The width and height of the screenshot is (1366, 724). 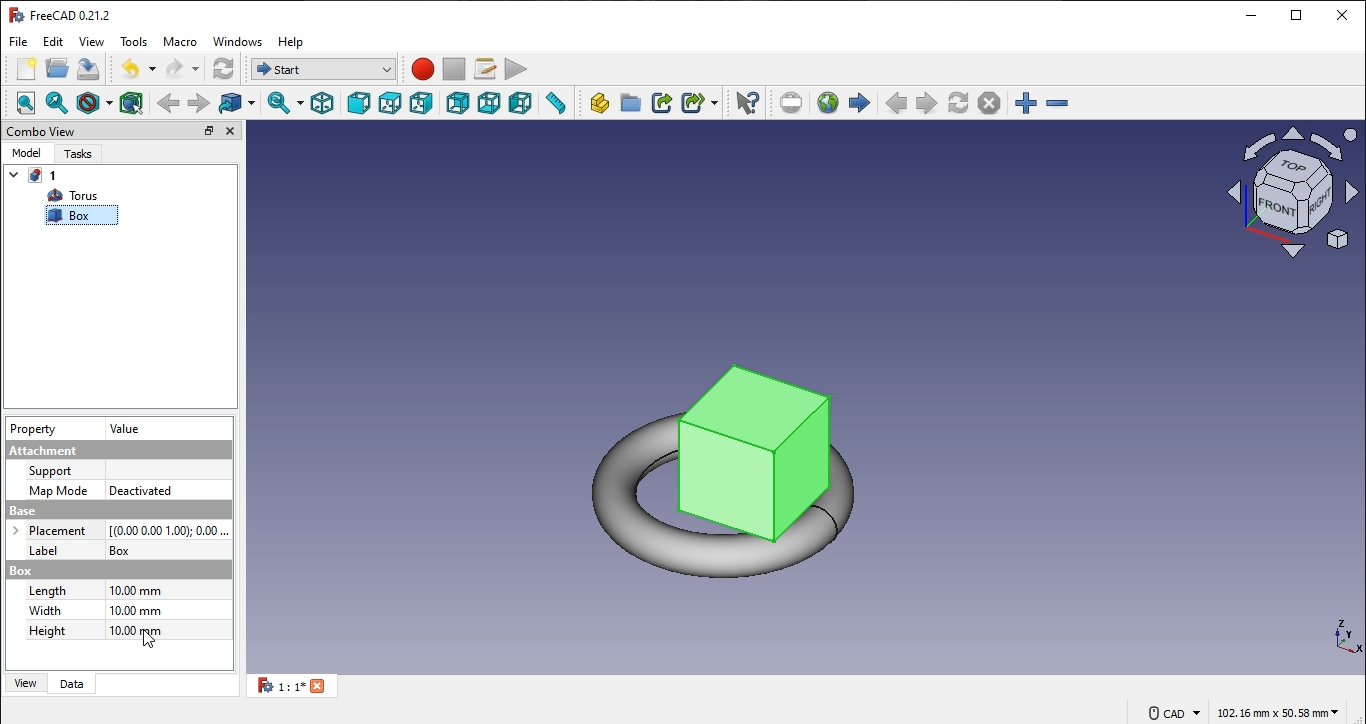 What do you see at coordinates (827, 101) in the screenshot?
I see `open website` at bounding box center [827, 101].